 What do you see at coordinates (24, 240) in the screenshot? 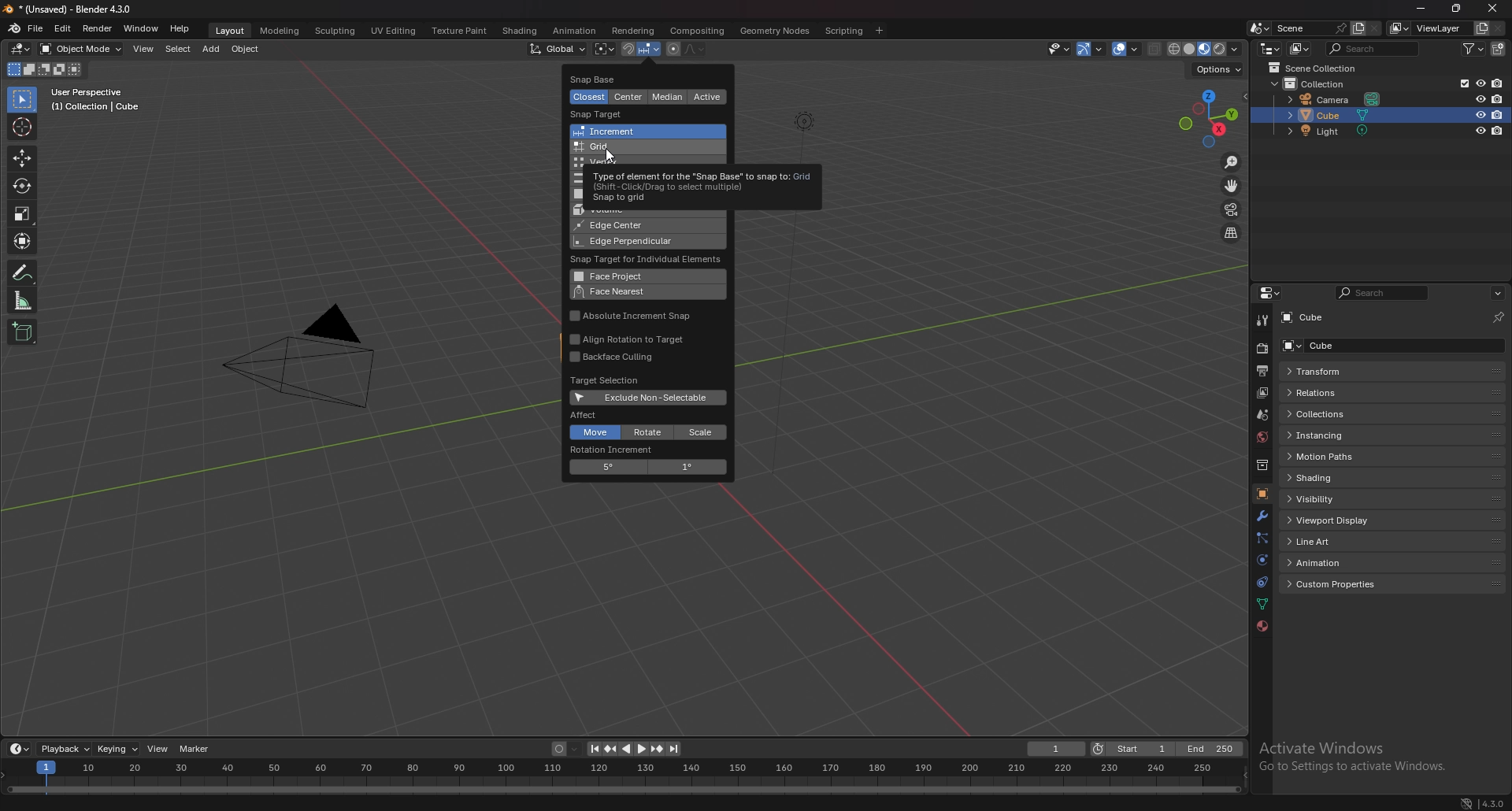
I see `transform` at bounding box center [24, 240].